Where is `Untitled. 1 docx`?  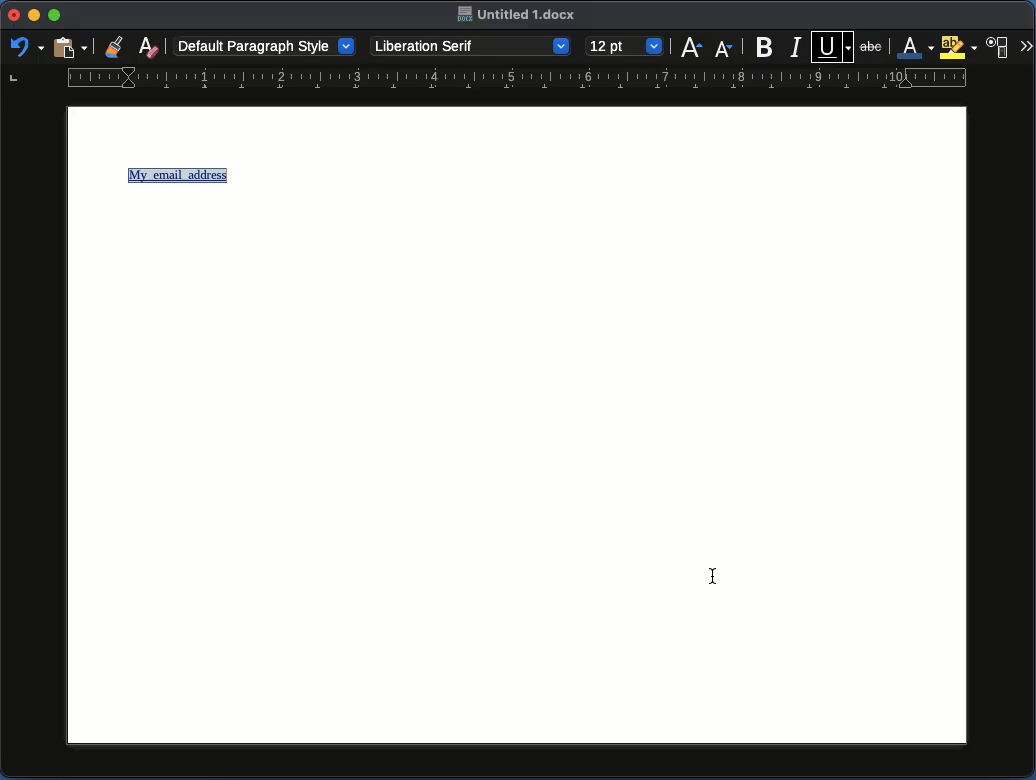 Untitled. 1 docx is located at coordinates (518, 15).